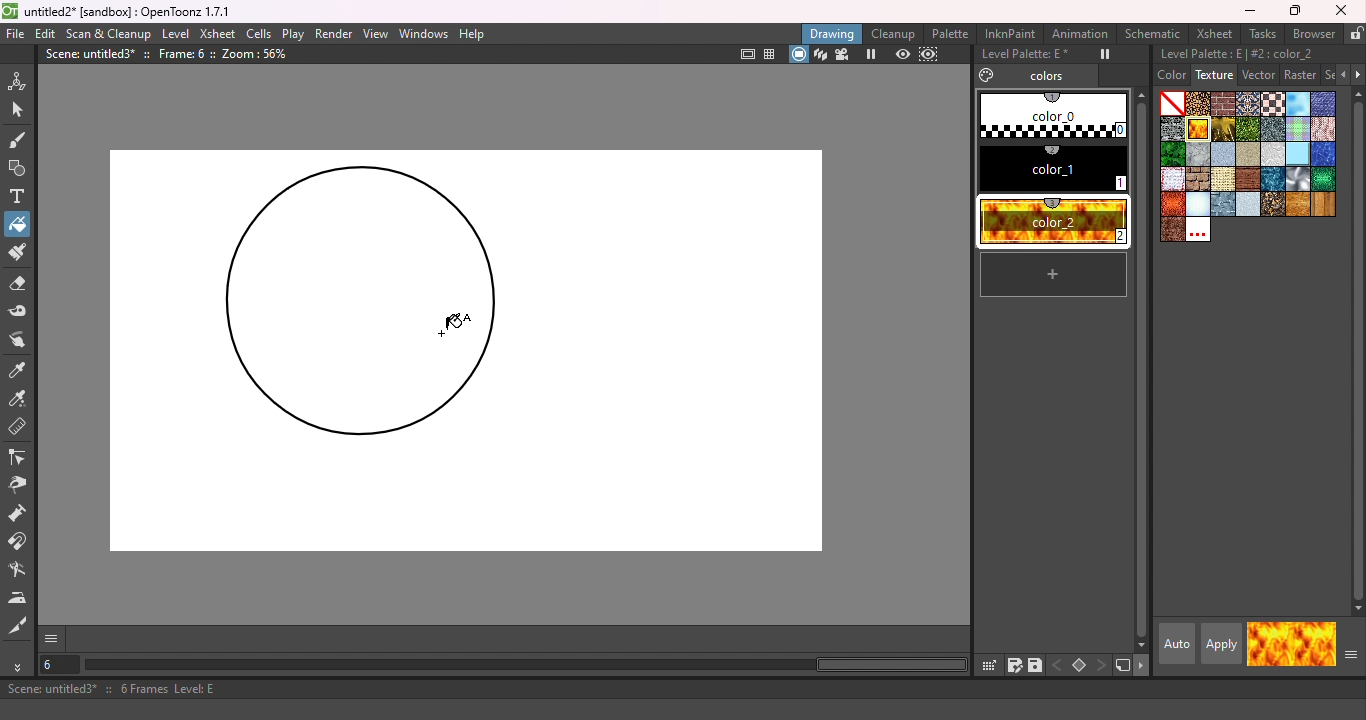  Describe the element at coordinates (1312, 35) in the screenshot. I see `Browser` at that location.